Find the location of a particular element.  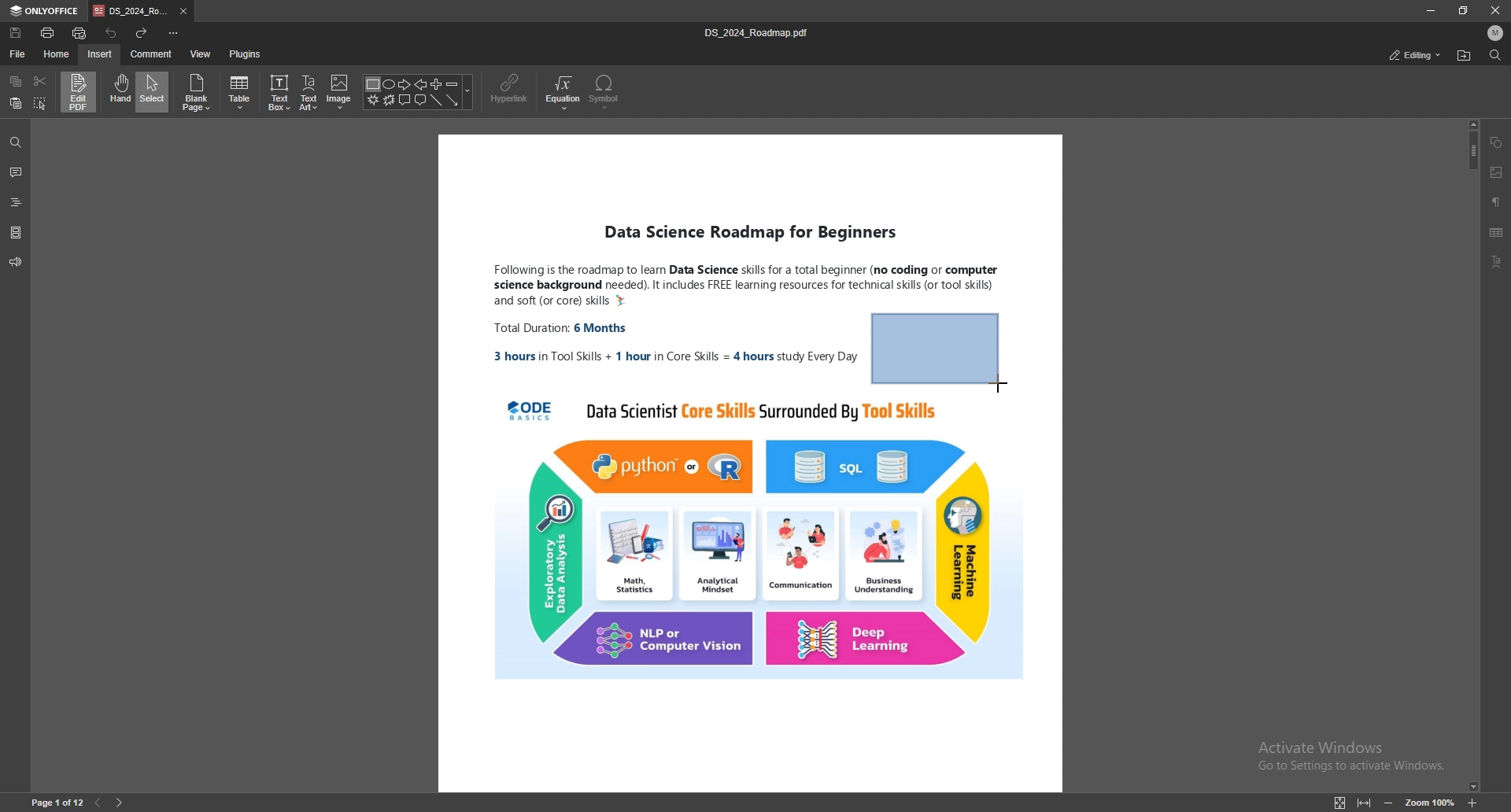

headings is located at coordinates (17, 200).